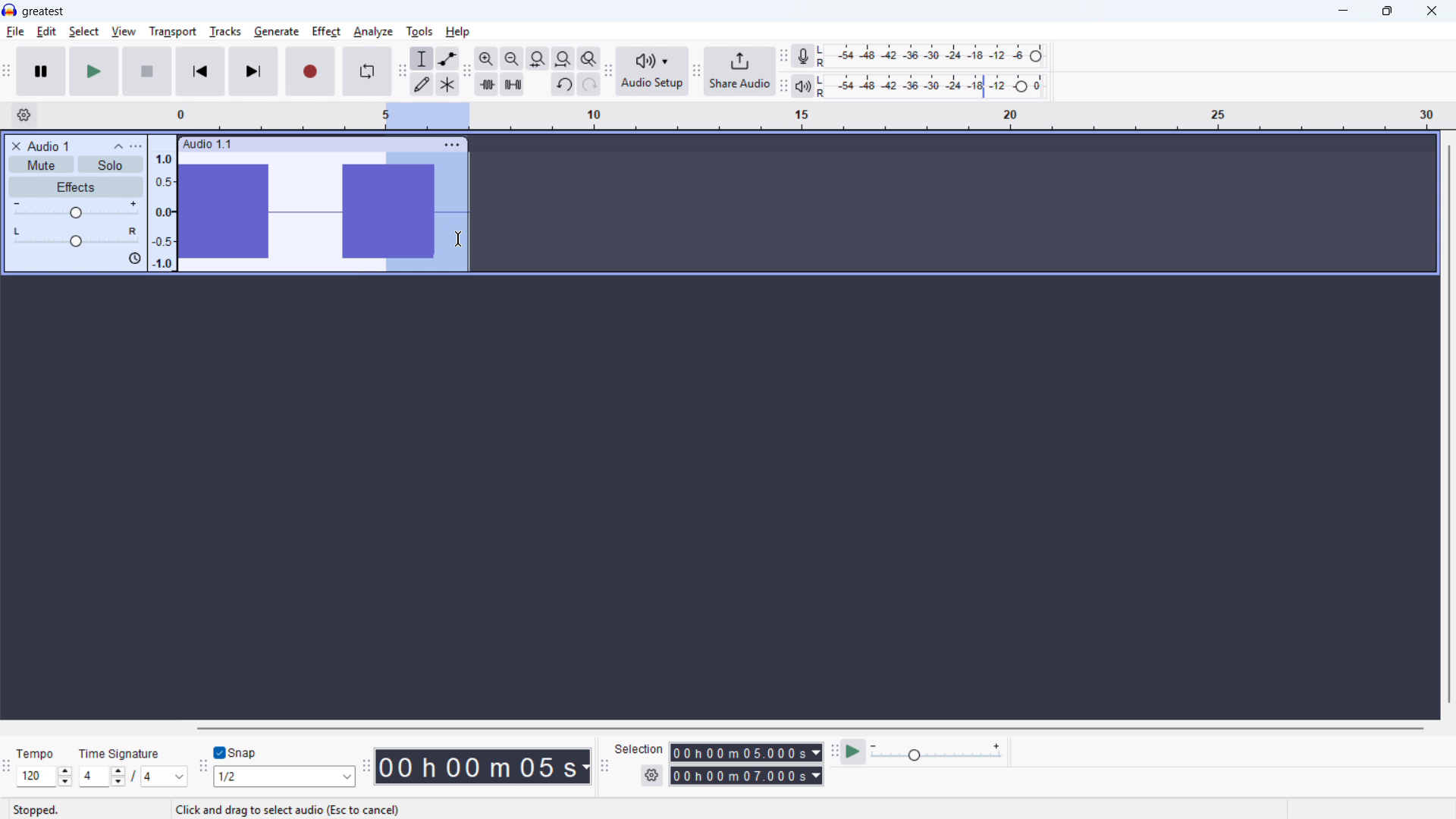 The image size is (1456, 819). Describe the element at coordinates (94, 71) in the screenshot. I see `play ` at that location.